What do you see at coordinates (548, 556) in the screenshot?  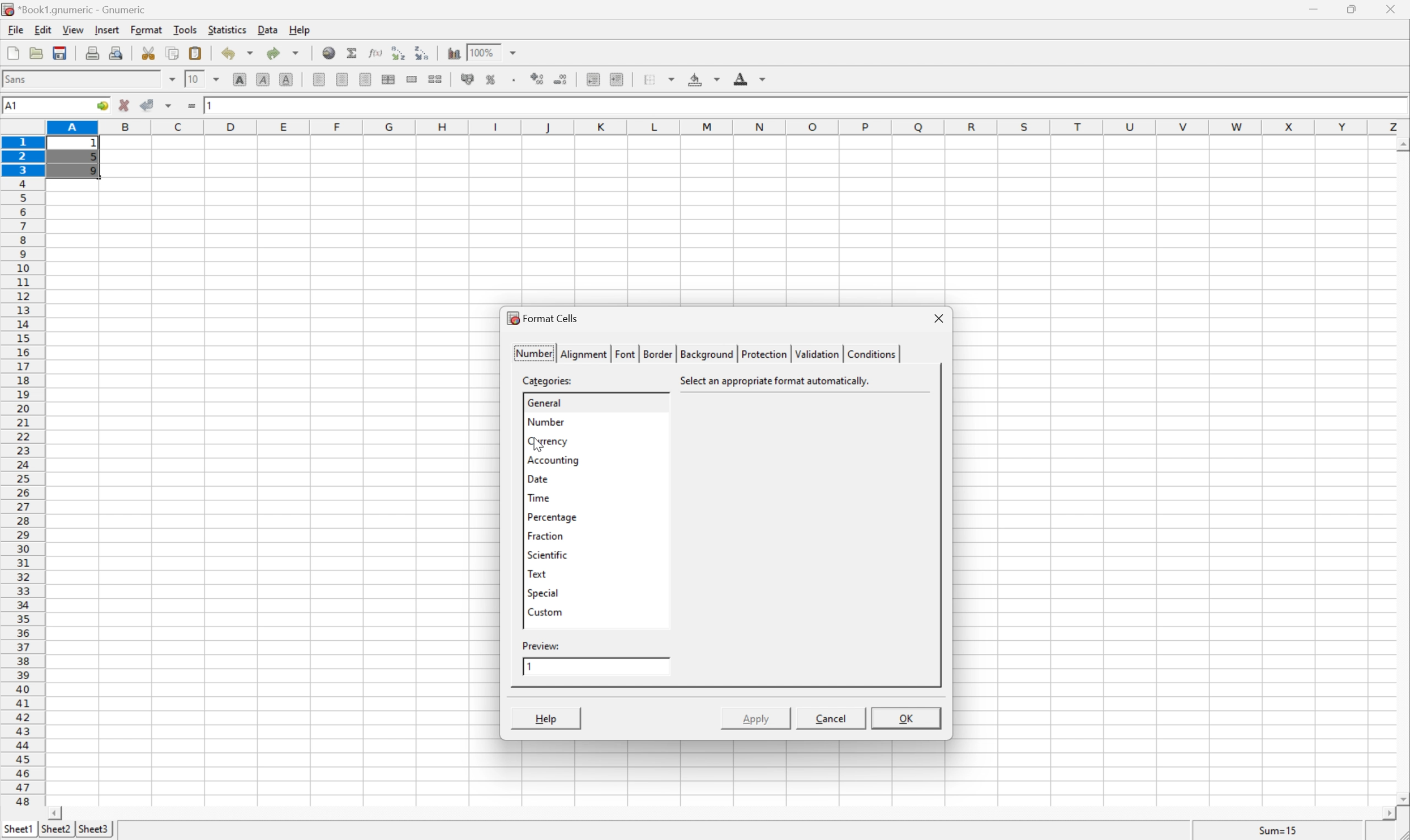 I see `scientific` at bounding box center [548, 556].